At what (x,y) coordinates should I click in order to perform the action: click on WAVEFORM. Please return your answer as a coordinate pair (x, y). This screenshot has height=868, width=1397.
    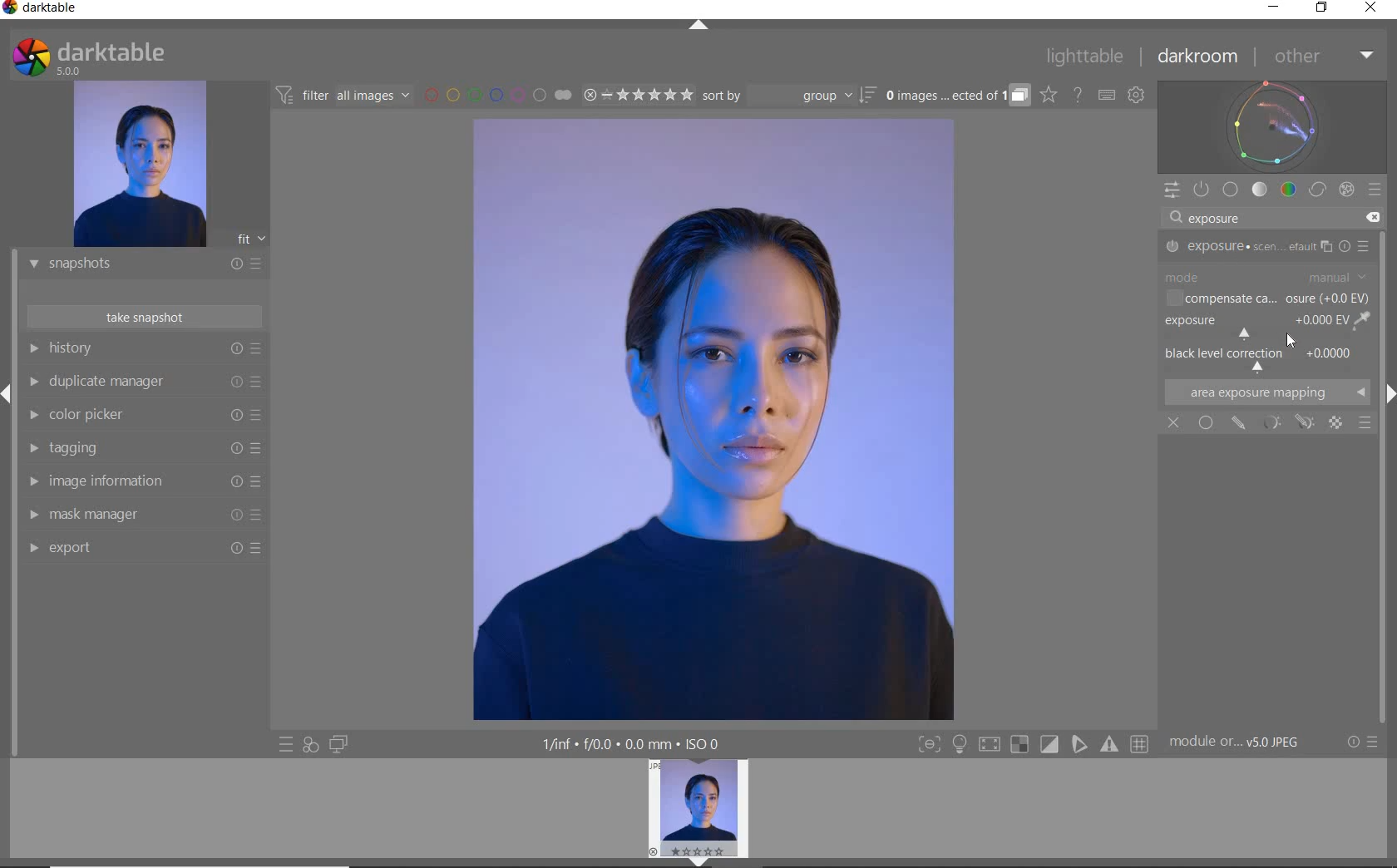
    Looking at the image, I should click on (1272, 126).